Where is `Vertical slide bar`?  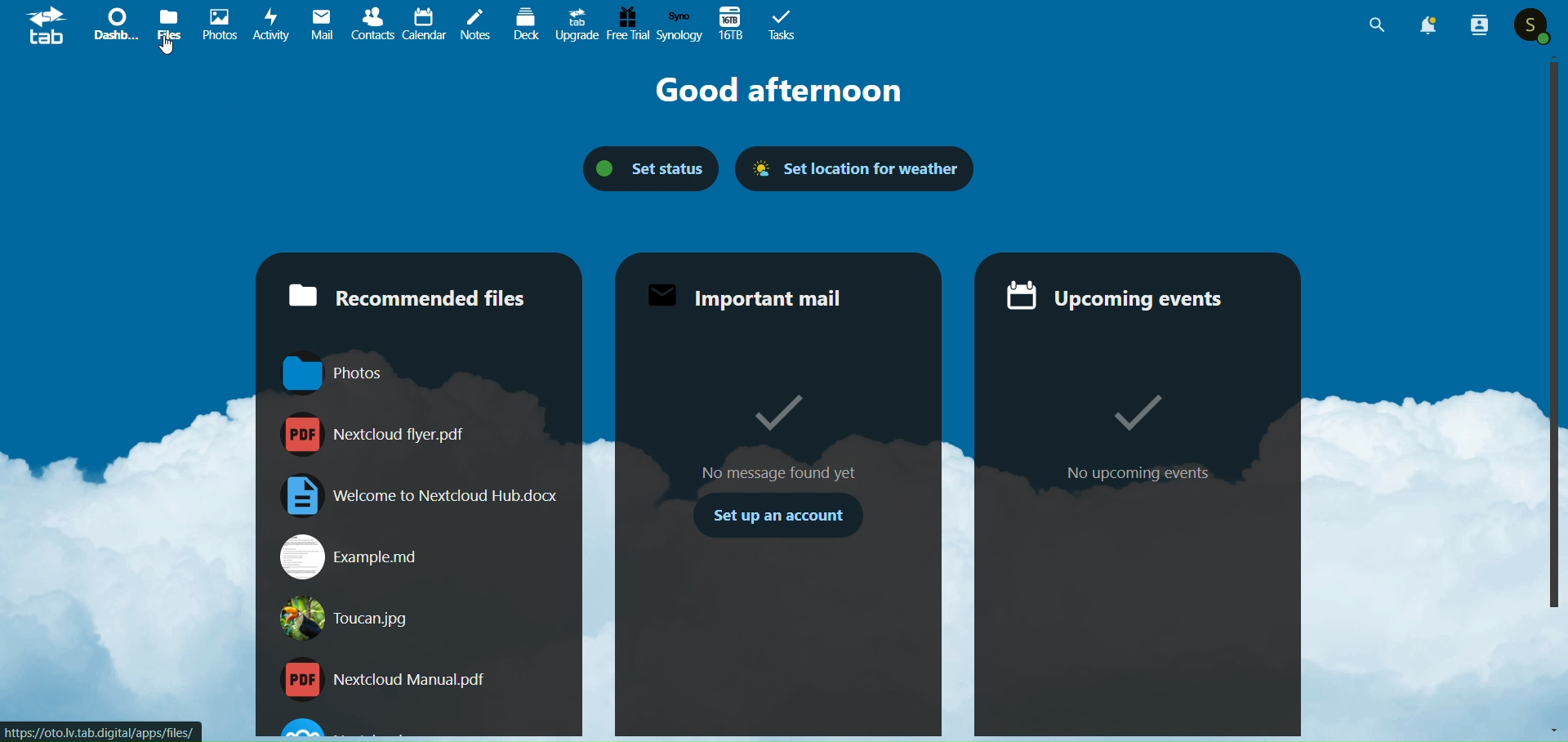 Vertical slide bar is located at coordinates (1552, 332).